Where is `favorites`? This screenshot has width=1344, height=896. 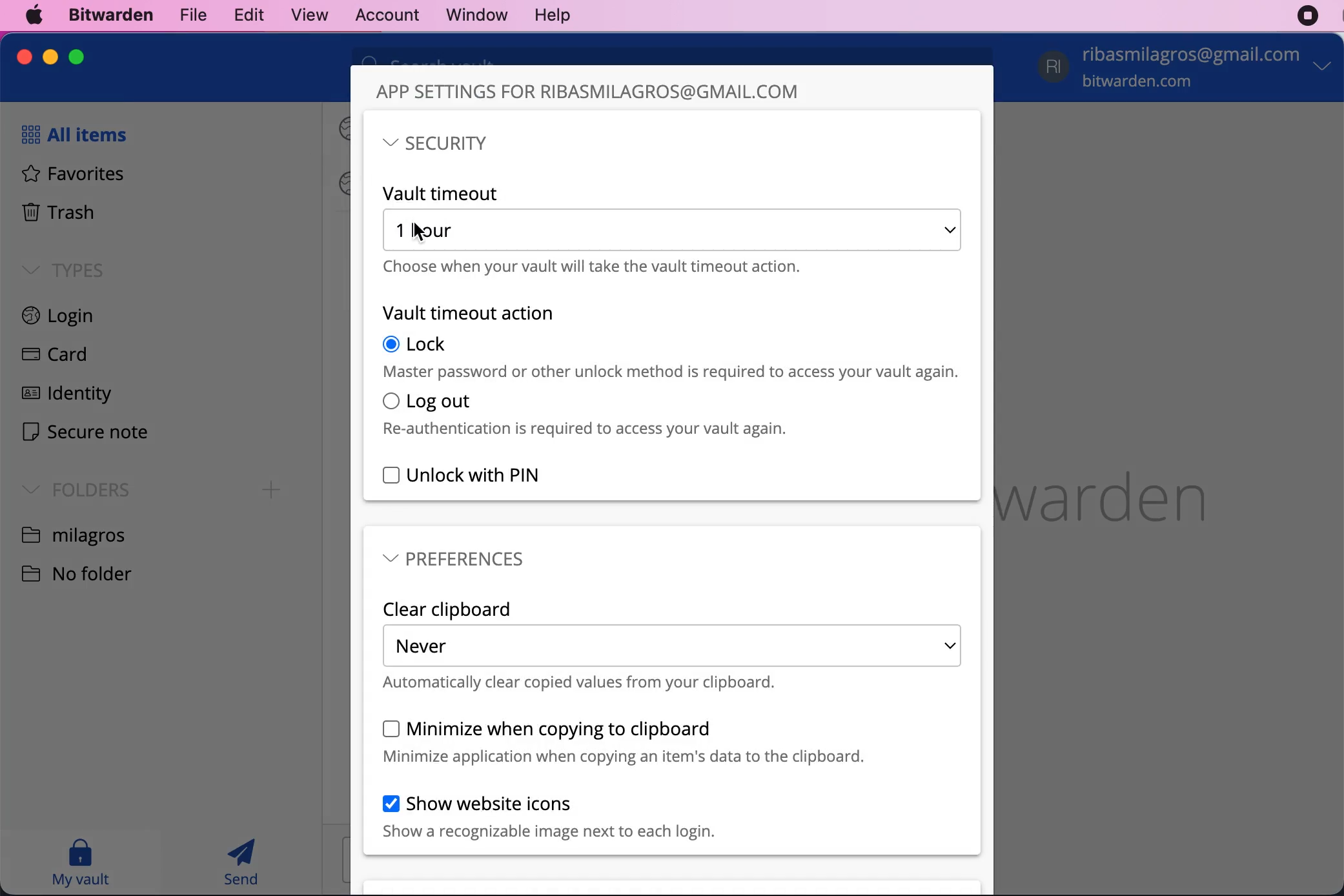 favorites is located at coordinates (66, 176).